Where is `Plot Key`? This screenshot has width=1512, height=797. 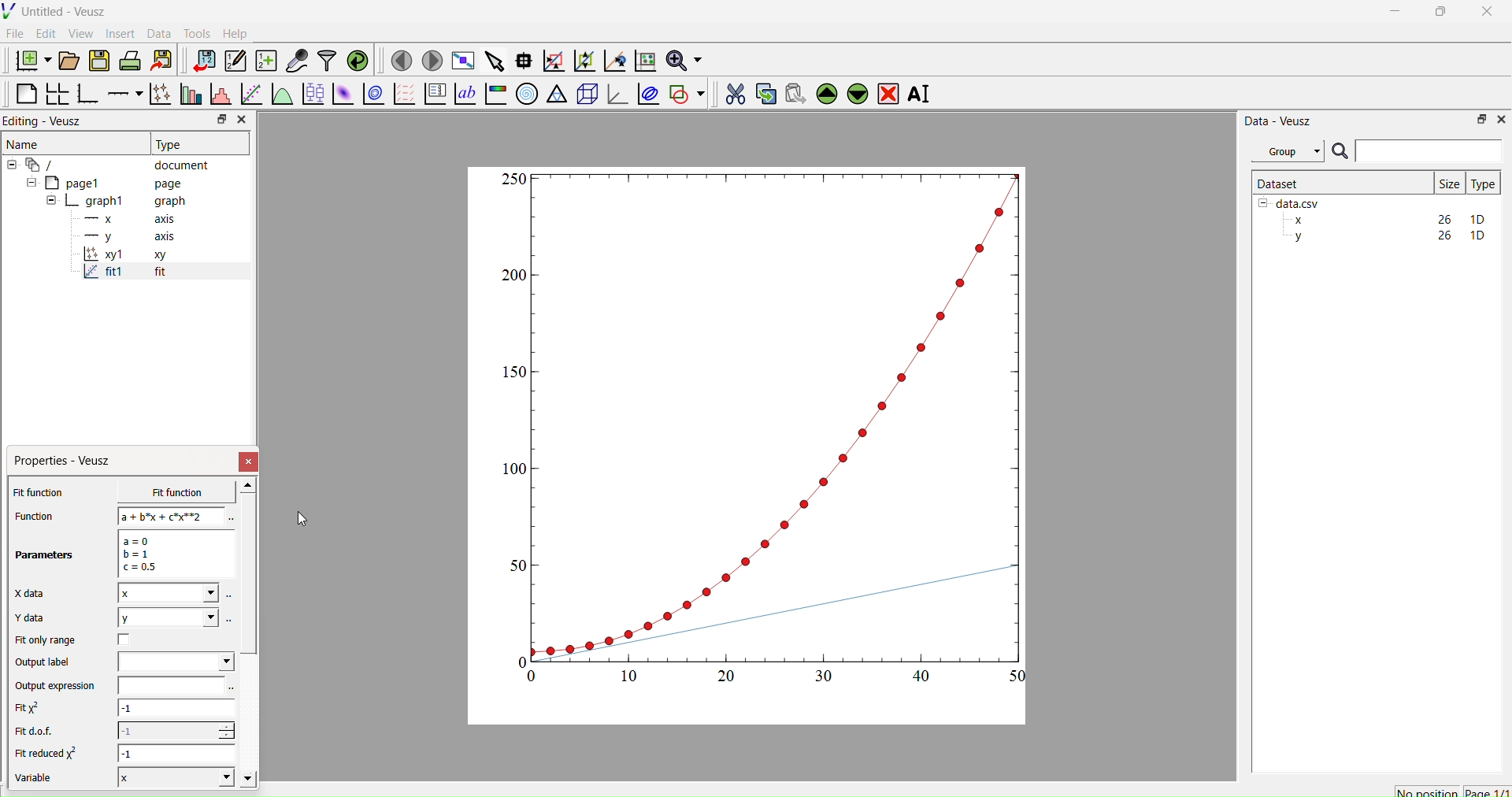 Plot Key is located at coordinates (435, 94).